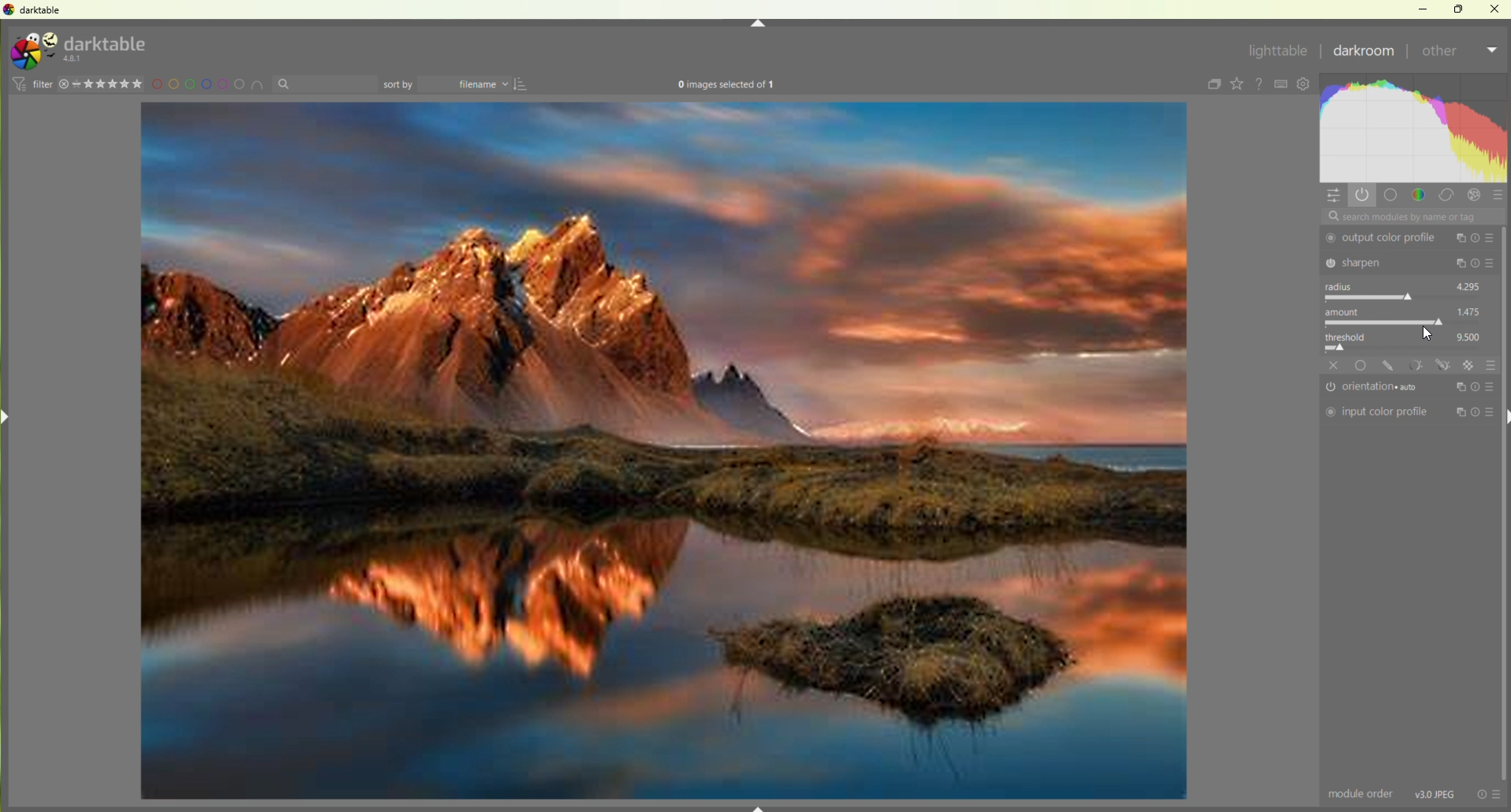  I want to click on orientation, so click(1377, 388).